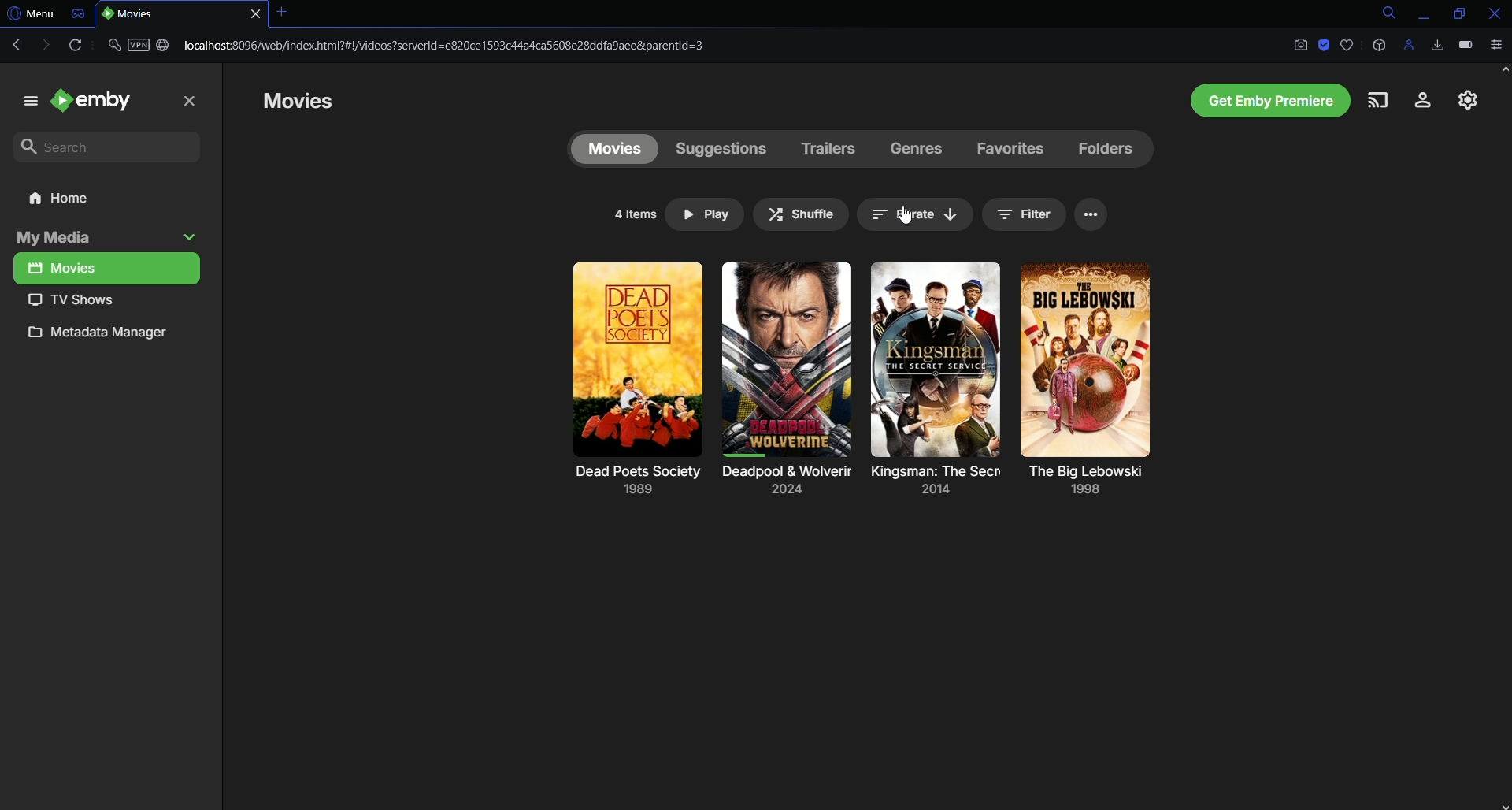  I want to click on Dead Poets Society, so click(635, 485).